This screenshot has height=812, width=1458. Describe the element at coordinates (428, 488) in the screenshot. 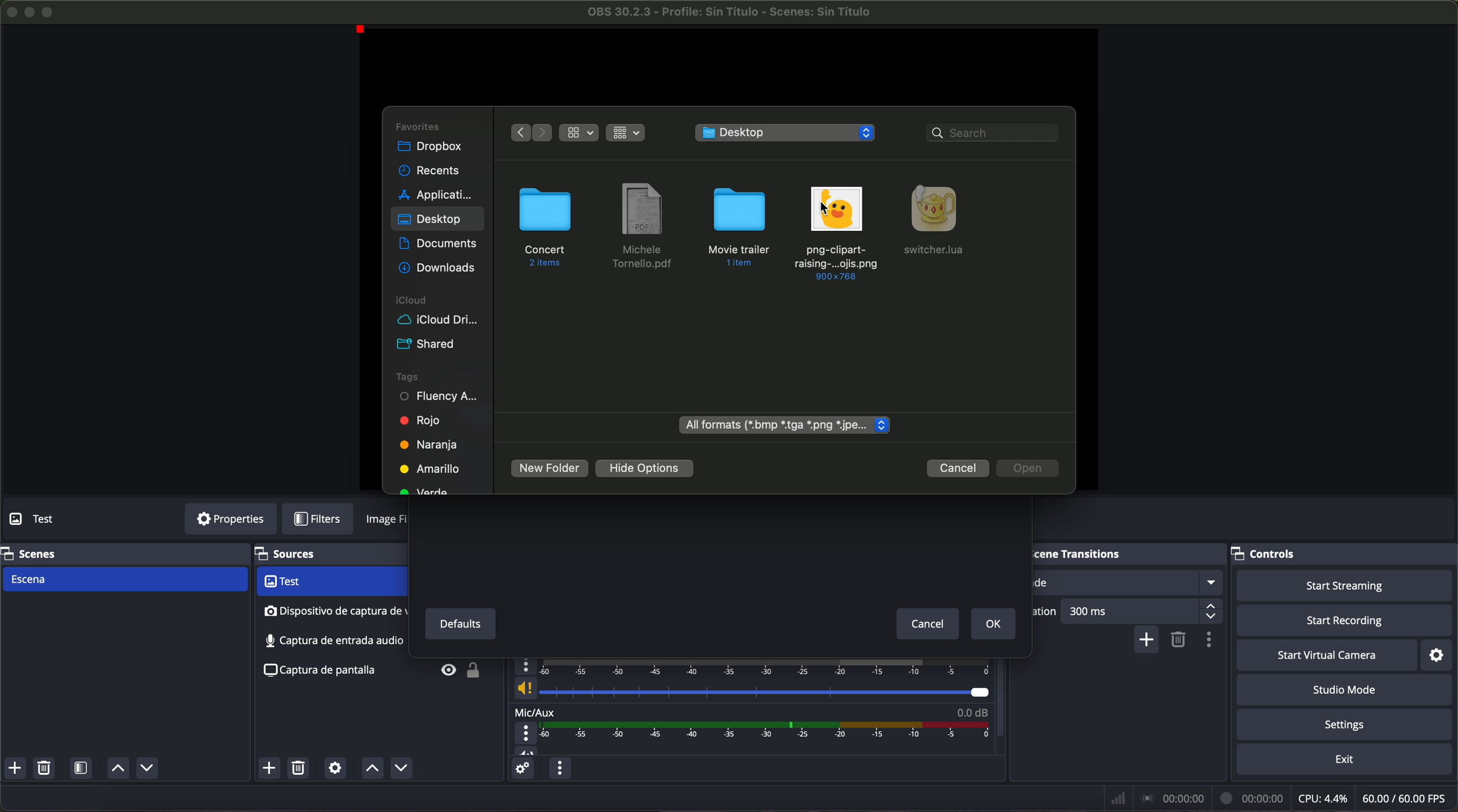

I see `green` at that location.